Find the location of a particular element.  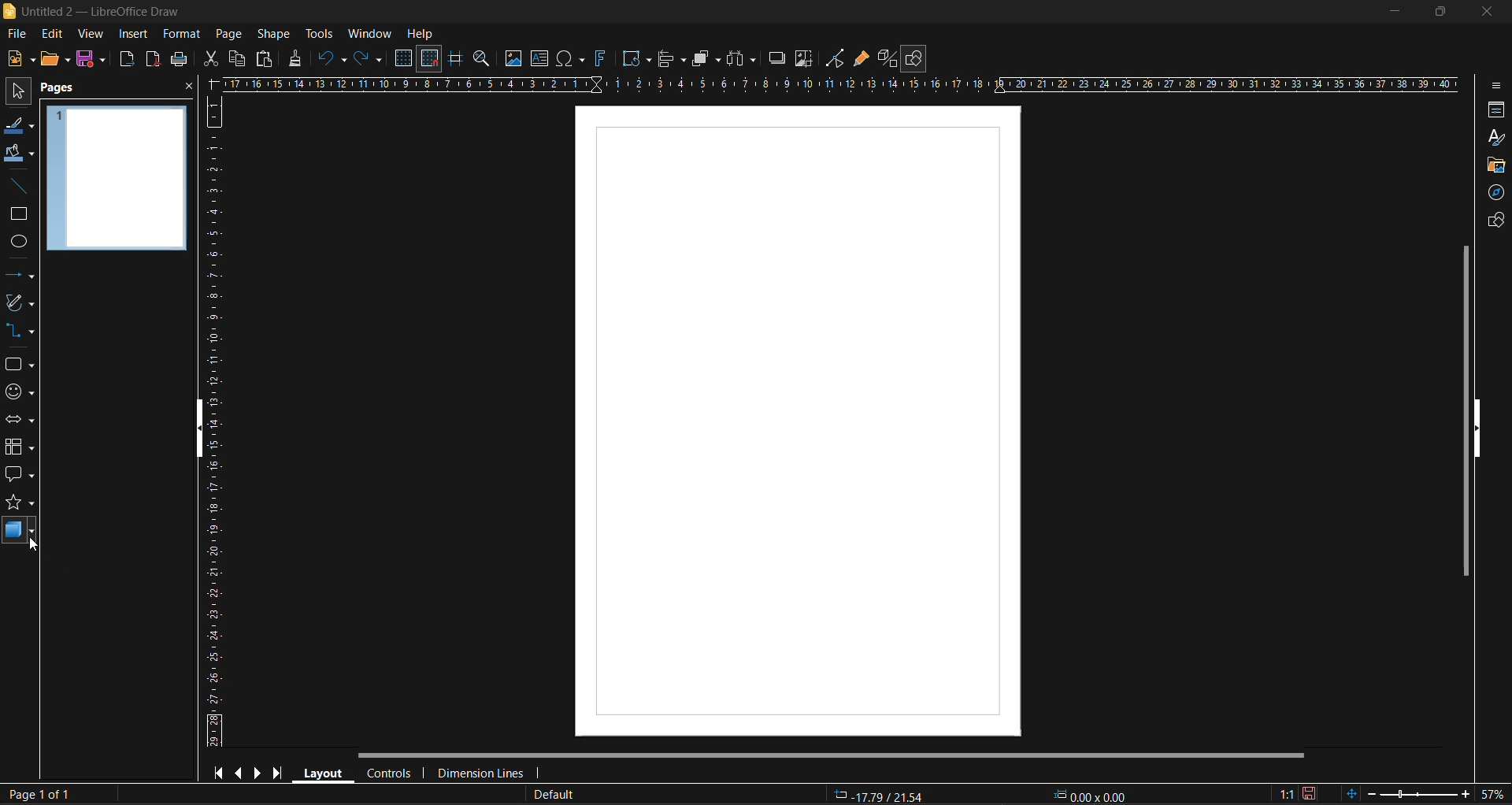

helplines is located at coordinates (458, 61).